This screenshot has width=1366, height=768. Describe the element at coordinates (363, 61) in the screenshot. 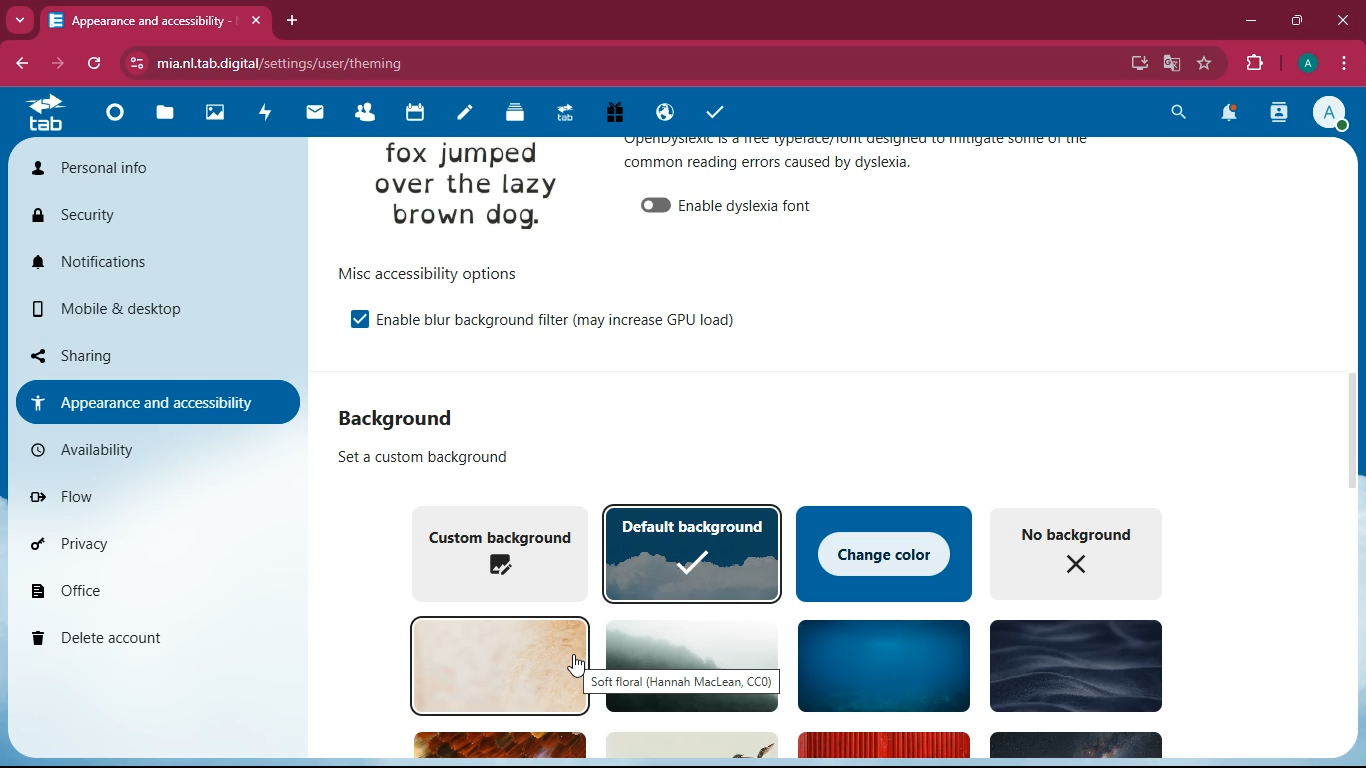

I see `url` at that location.